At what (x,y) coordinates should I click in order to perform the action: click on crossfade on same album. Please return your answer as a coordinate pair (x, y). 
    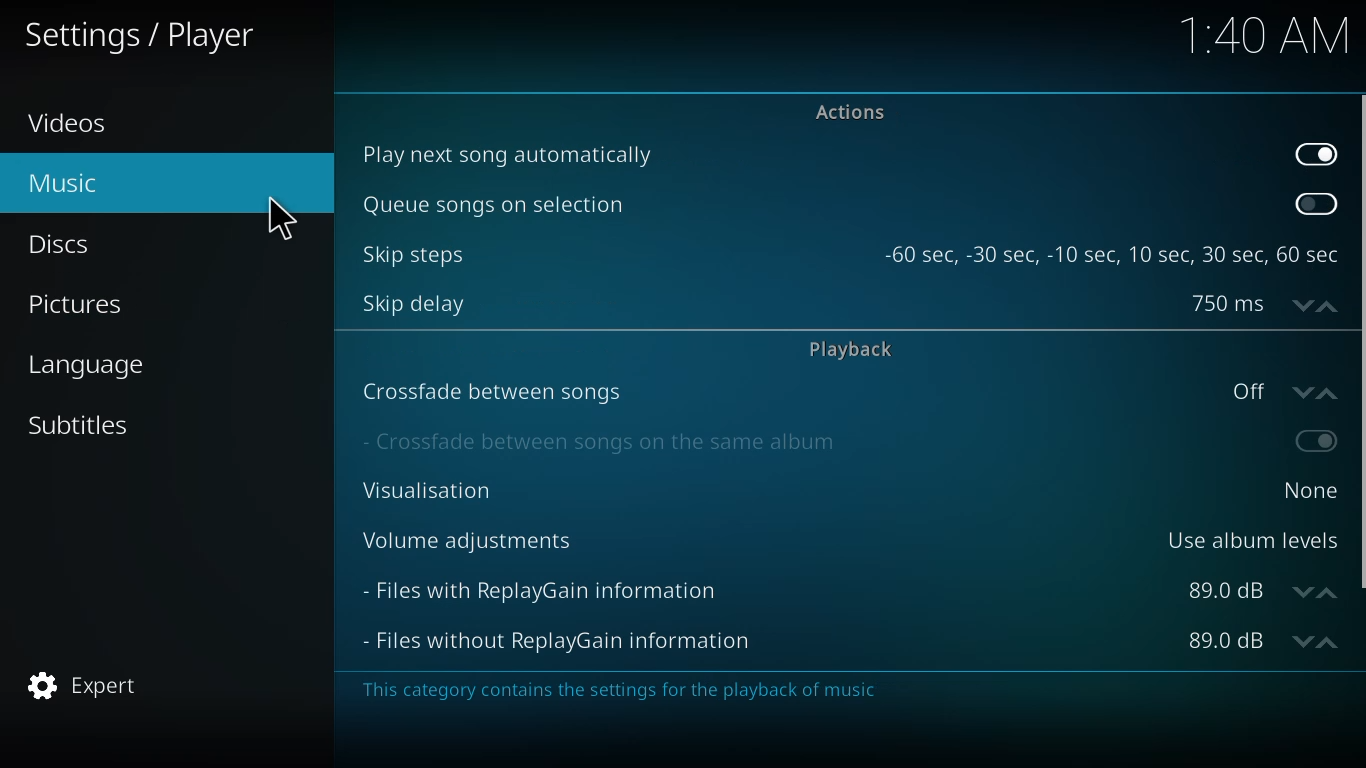
    Looking at the image, I should click on (603, 441).